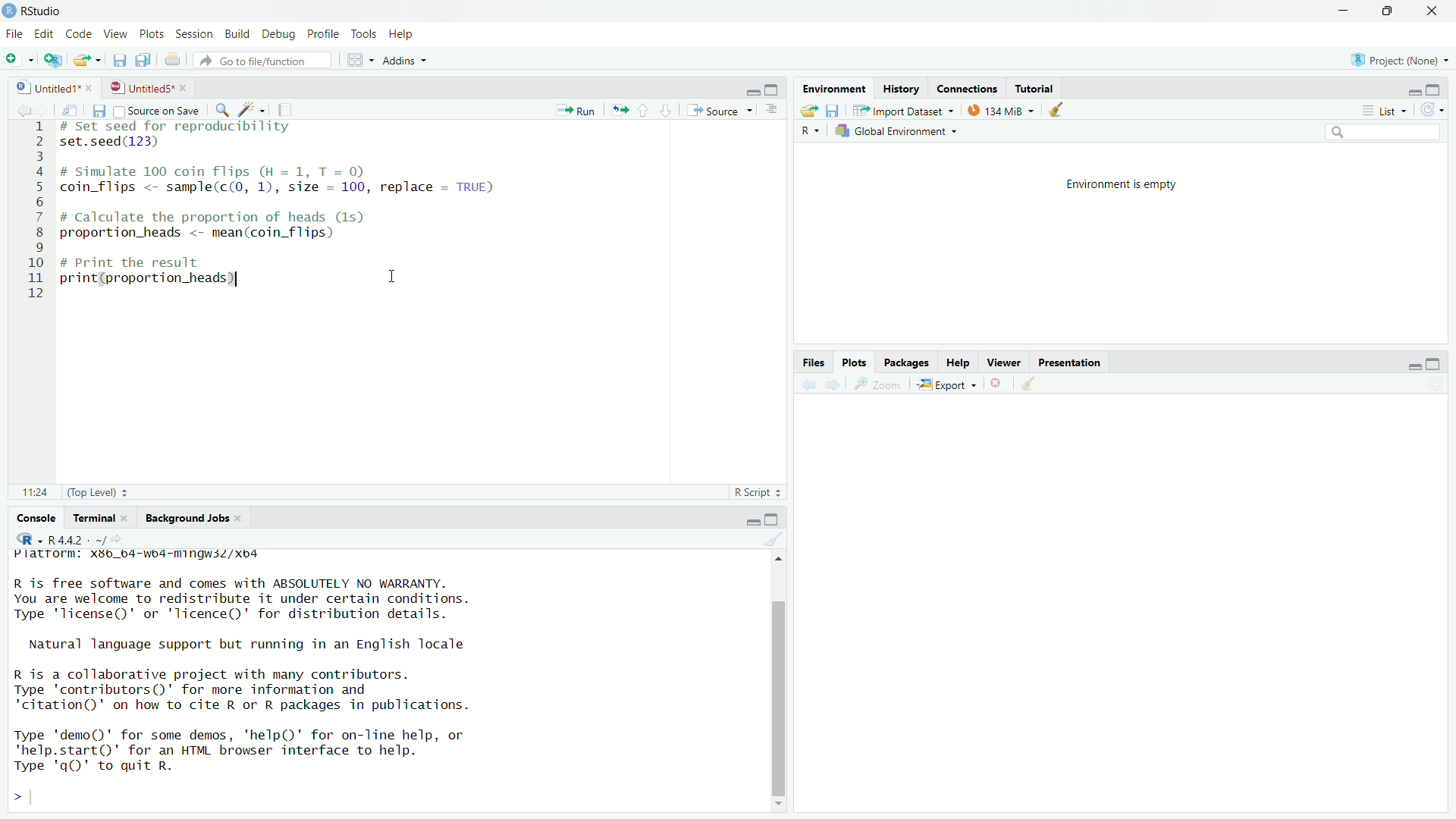  What do you see at coordinates (968, 88) in the screenshot?
I see `Connections` at bounding box center [968, 88].